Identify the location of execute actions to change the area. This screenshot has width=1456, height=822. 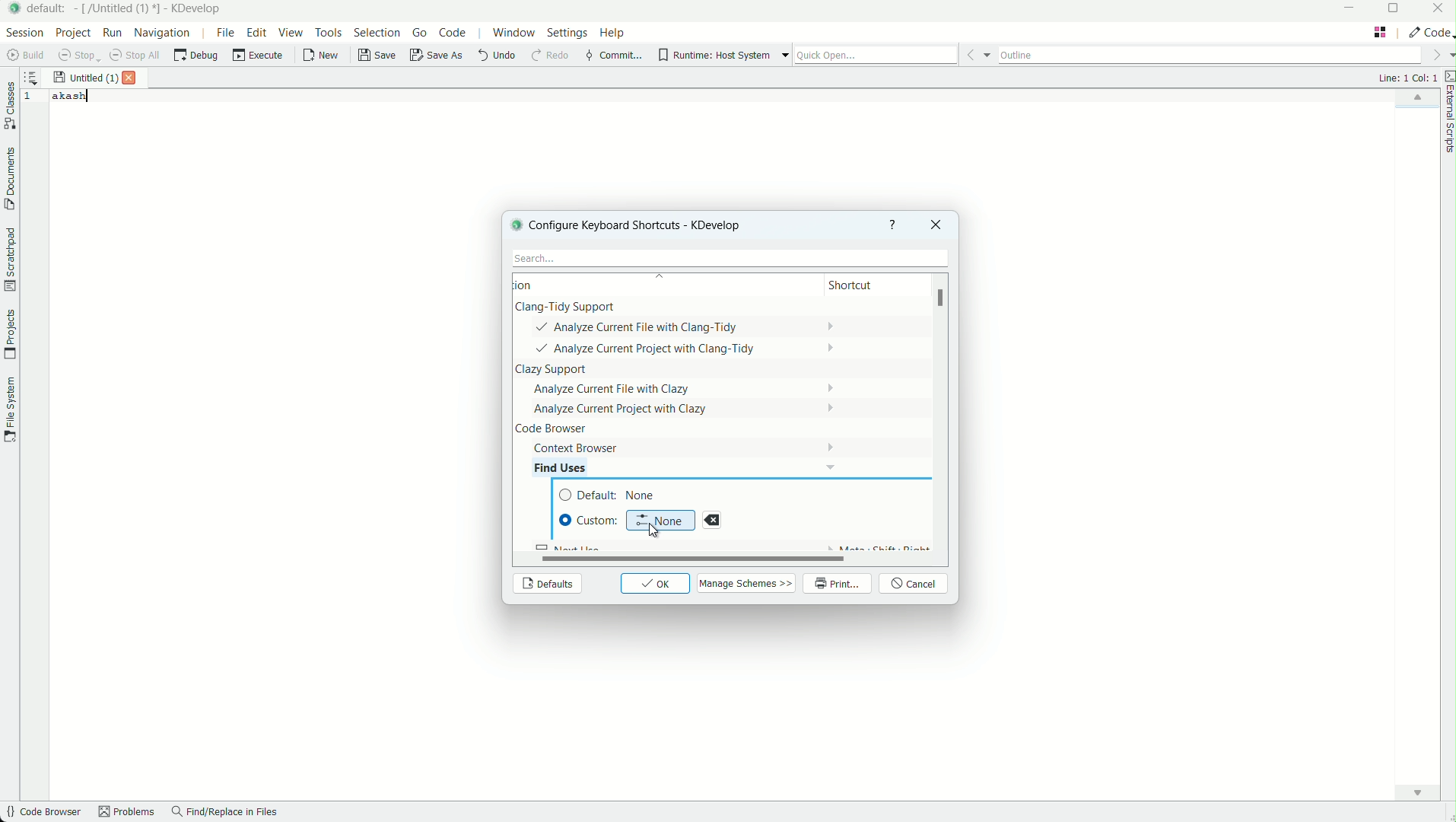
(1429, 32).